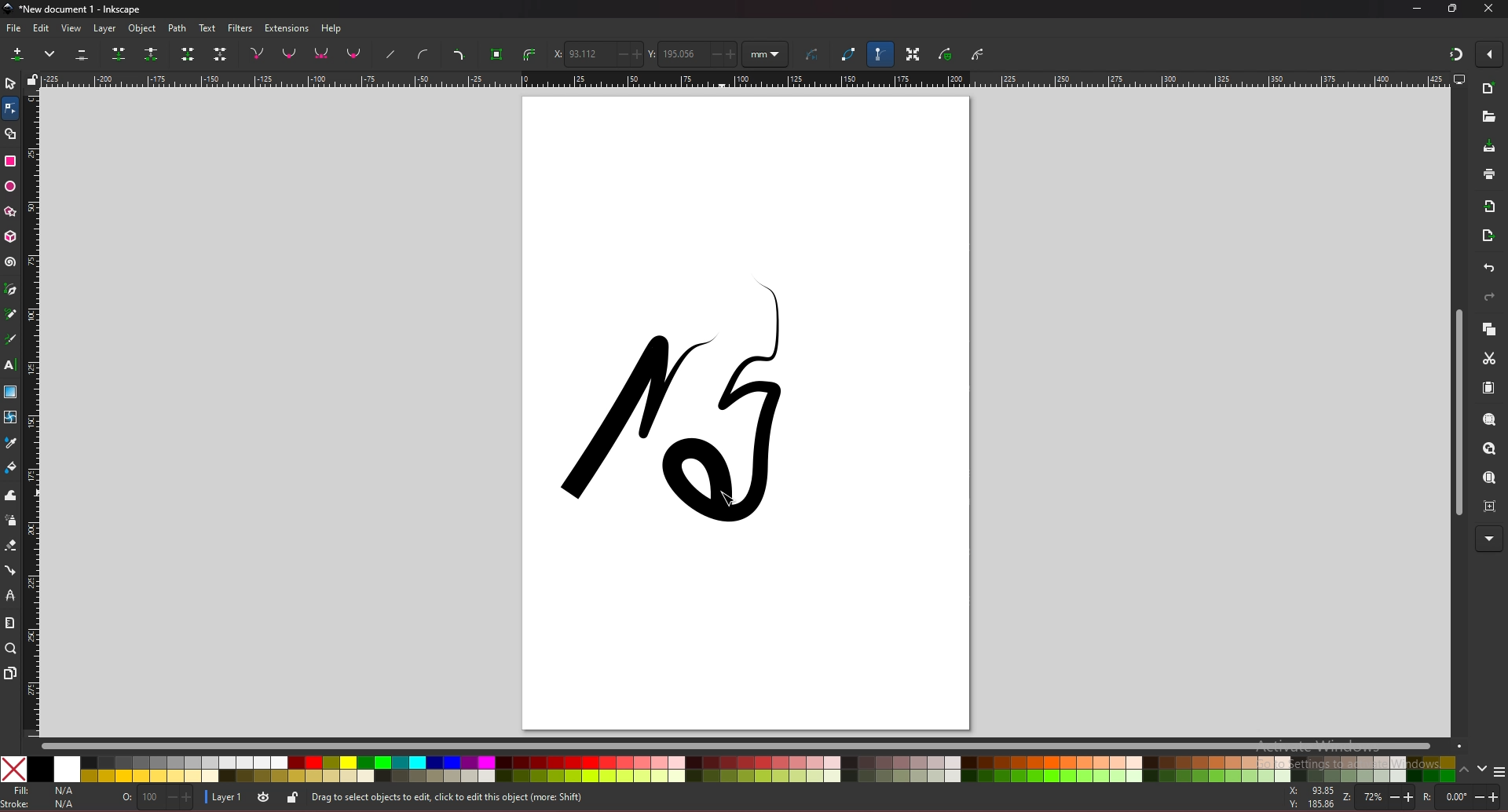 This screenshot has height=812, width=1508. Describe the element at coordinates (679, 414) in the screenshot. I see `drawing` at that location.